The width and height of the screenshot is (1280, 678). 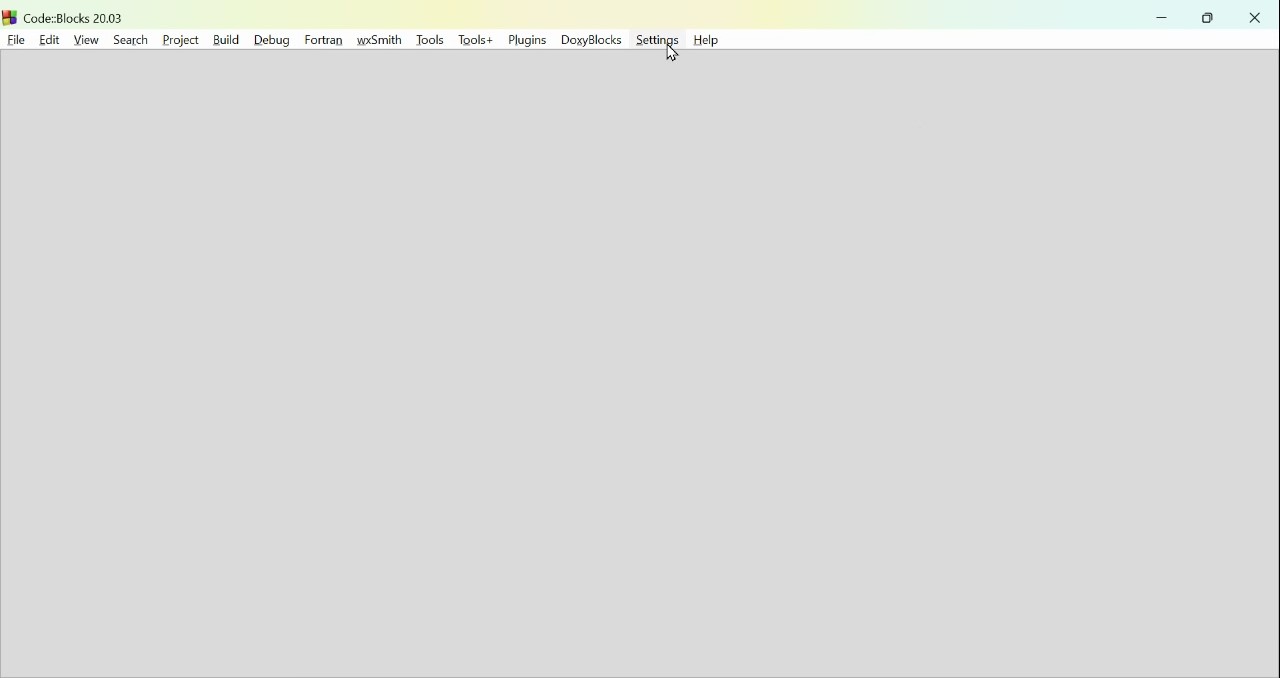 What do you see at coordinates (179, 39) in the screenshot?
I see `Project` at bounding box center [179, 39].